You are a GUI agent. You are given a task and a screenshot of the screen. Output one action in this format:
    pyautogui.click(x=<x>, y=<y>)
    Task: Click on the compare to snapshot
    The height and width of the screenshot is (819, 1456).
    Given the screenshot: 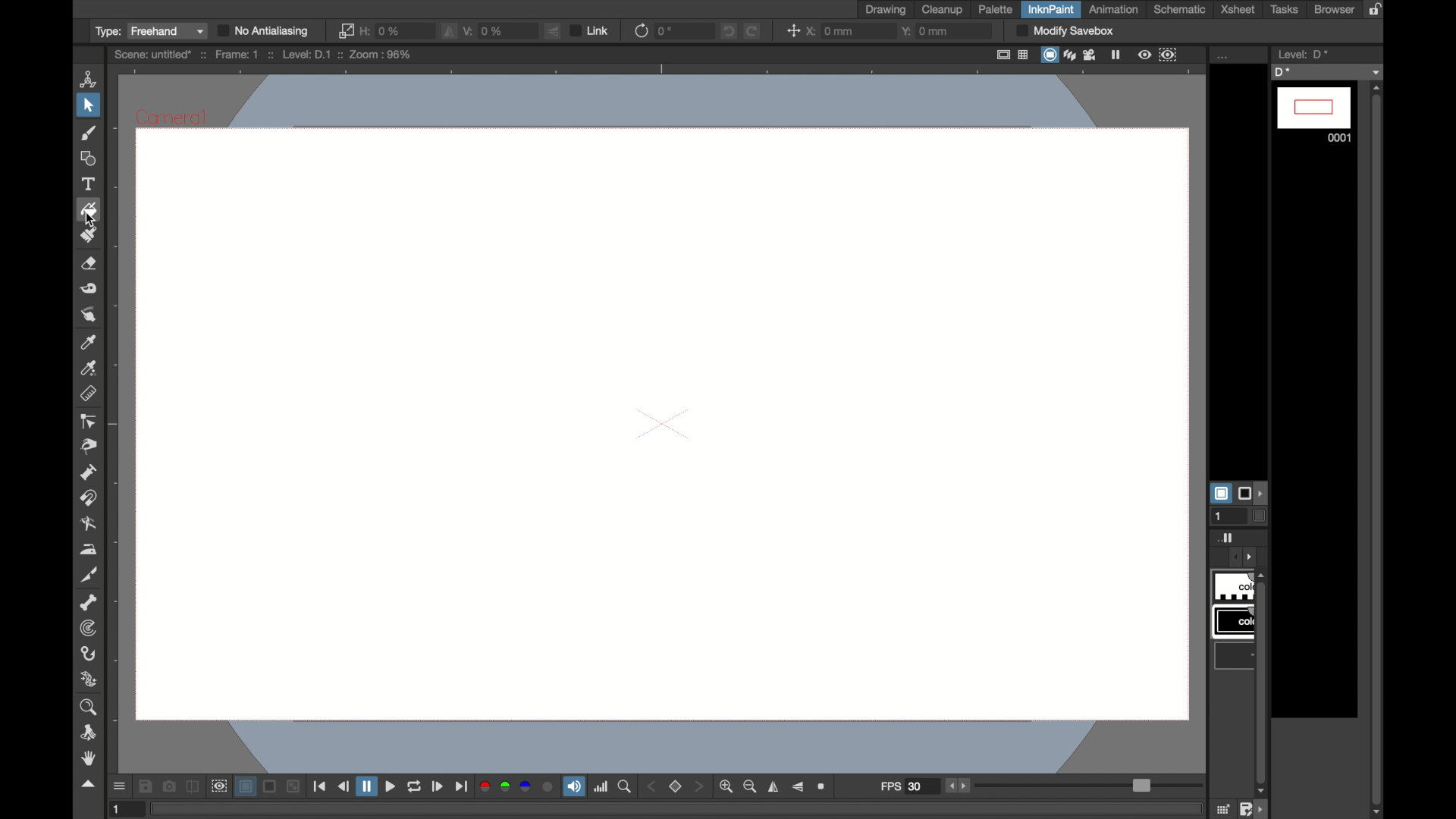 What is the action you would take?
    pyautogui.click(x=193, y=786)
    